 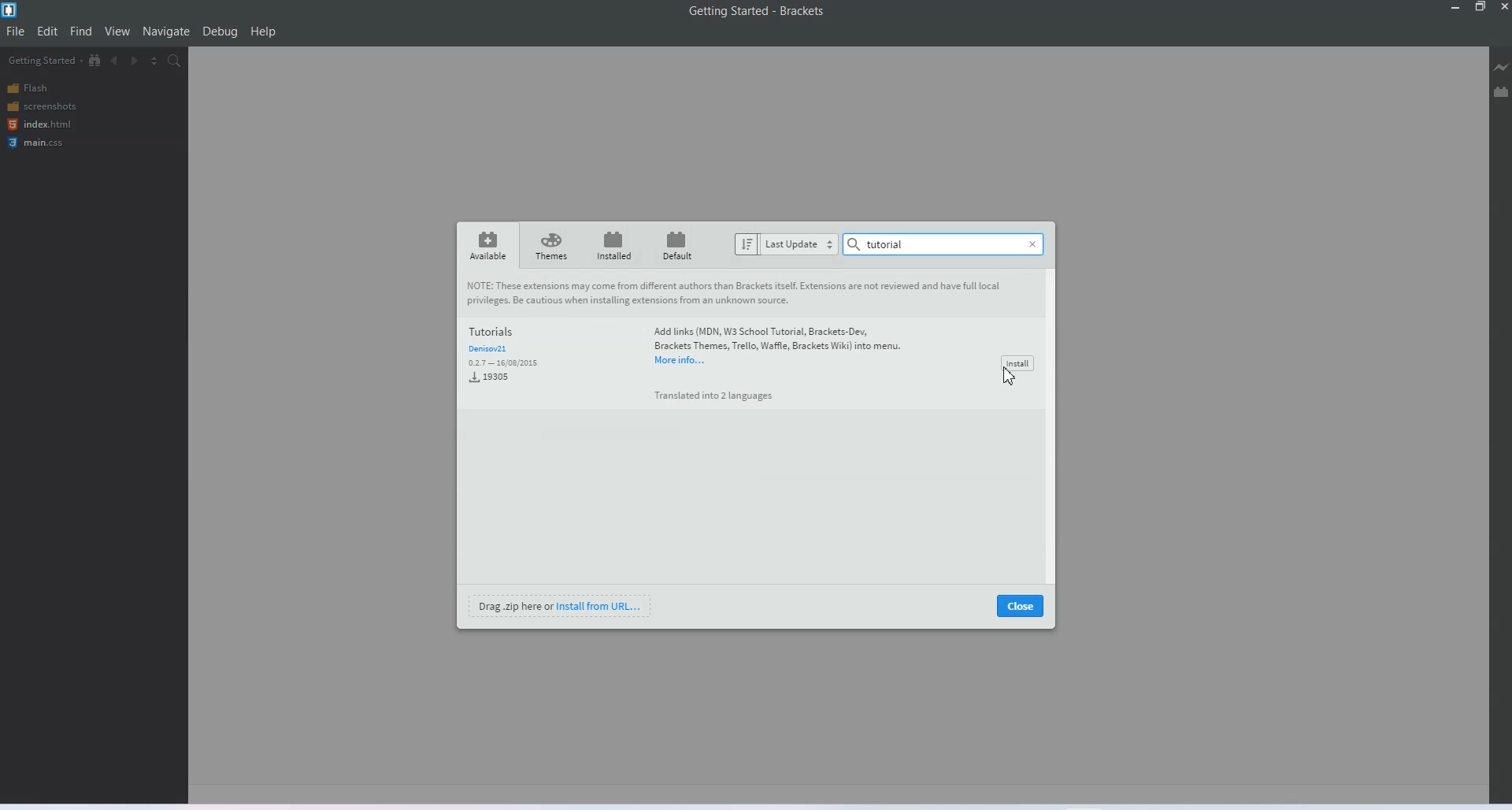 What do you see at coordinates (611, 245) in the screenshot?
I see `Installed` at bounding box center [611, 245].